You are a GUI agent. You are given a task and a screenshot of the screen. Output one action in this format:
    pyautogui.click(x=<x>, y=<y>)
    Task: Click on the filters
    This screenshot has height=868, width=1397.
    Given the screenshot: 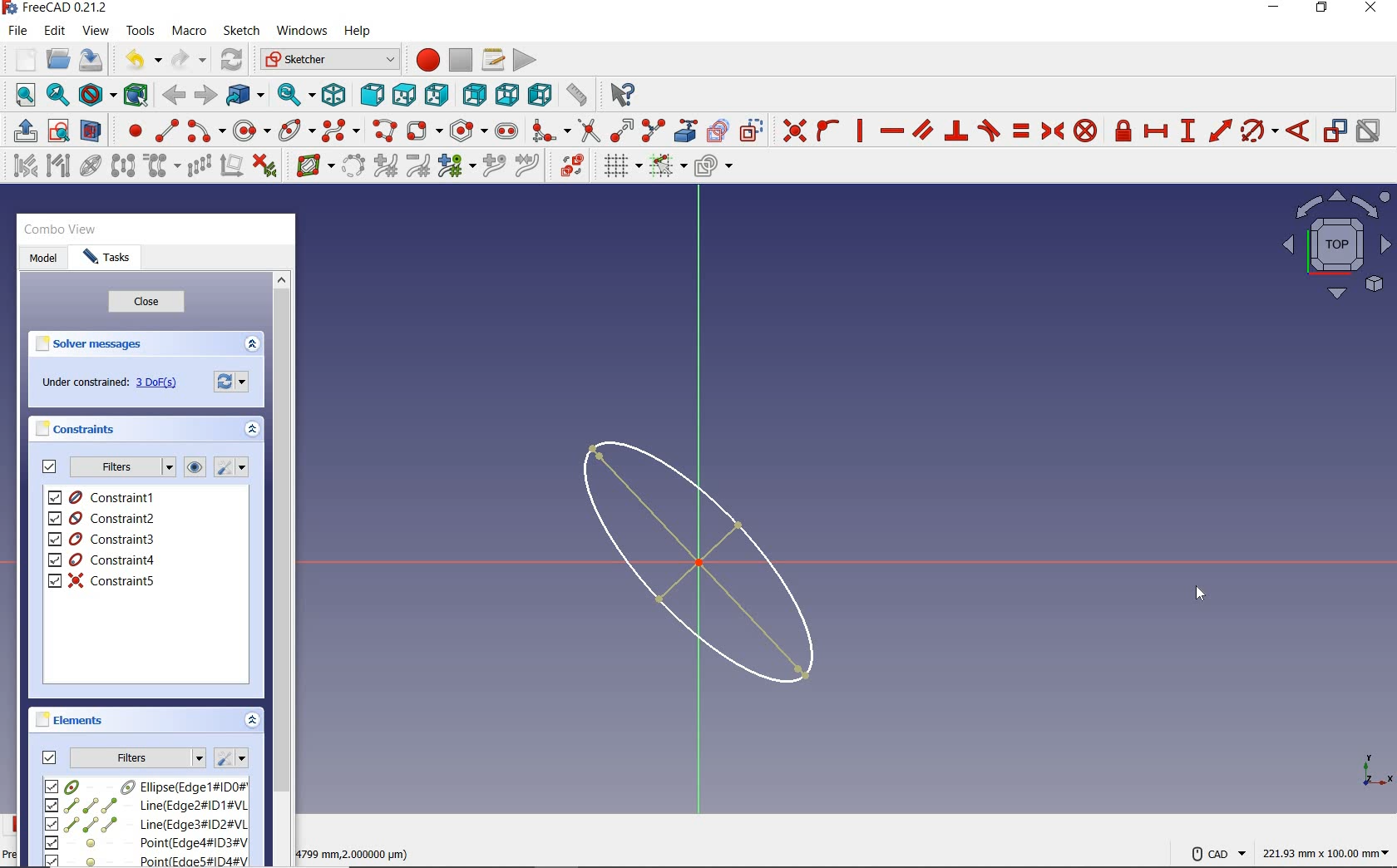 What is the action you would take?
    pyautogui.click(x=138, y=756)
    